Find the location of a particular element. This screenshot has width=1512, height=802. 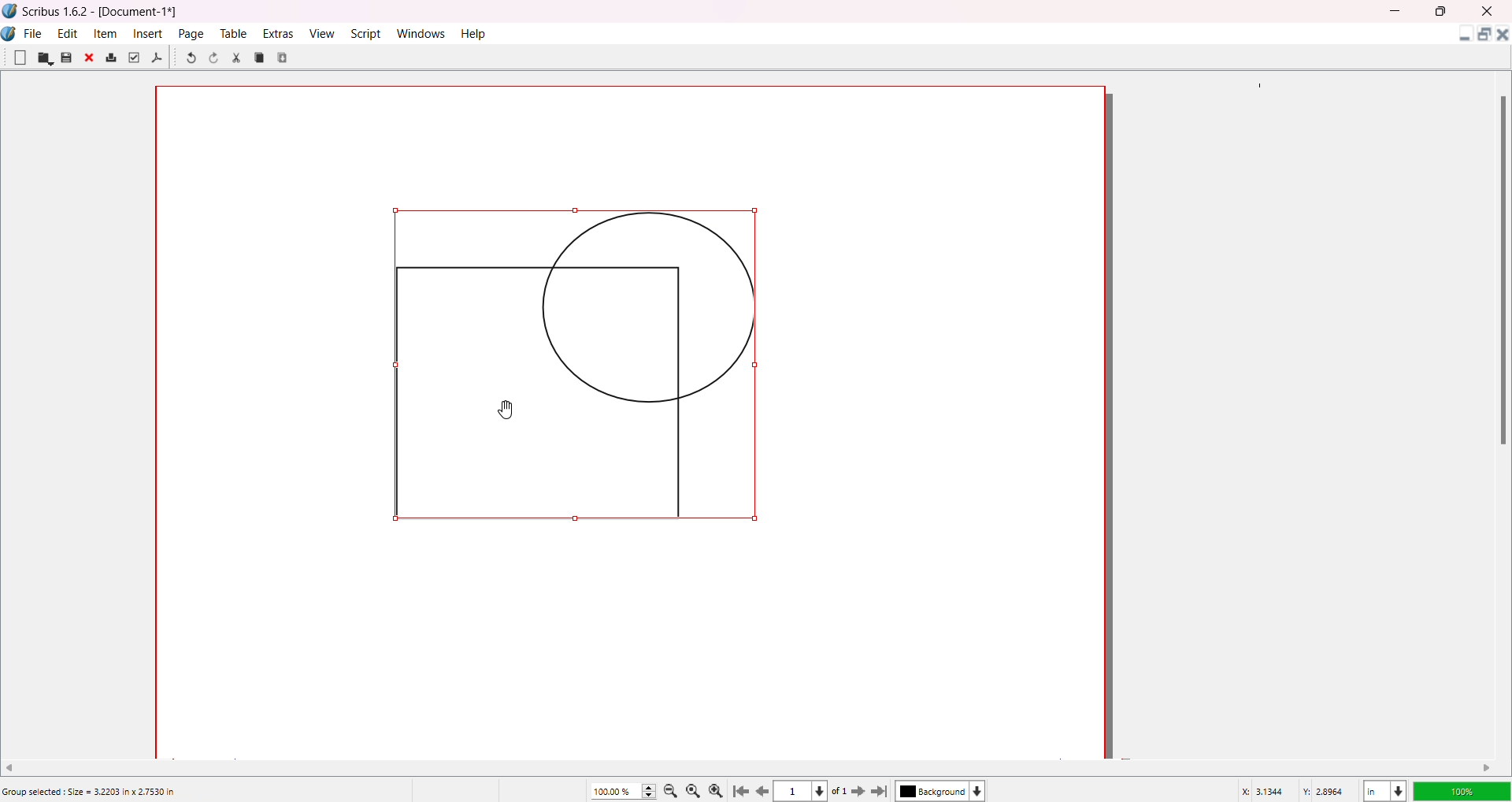

Save is located at coordinates (66, 58).